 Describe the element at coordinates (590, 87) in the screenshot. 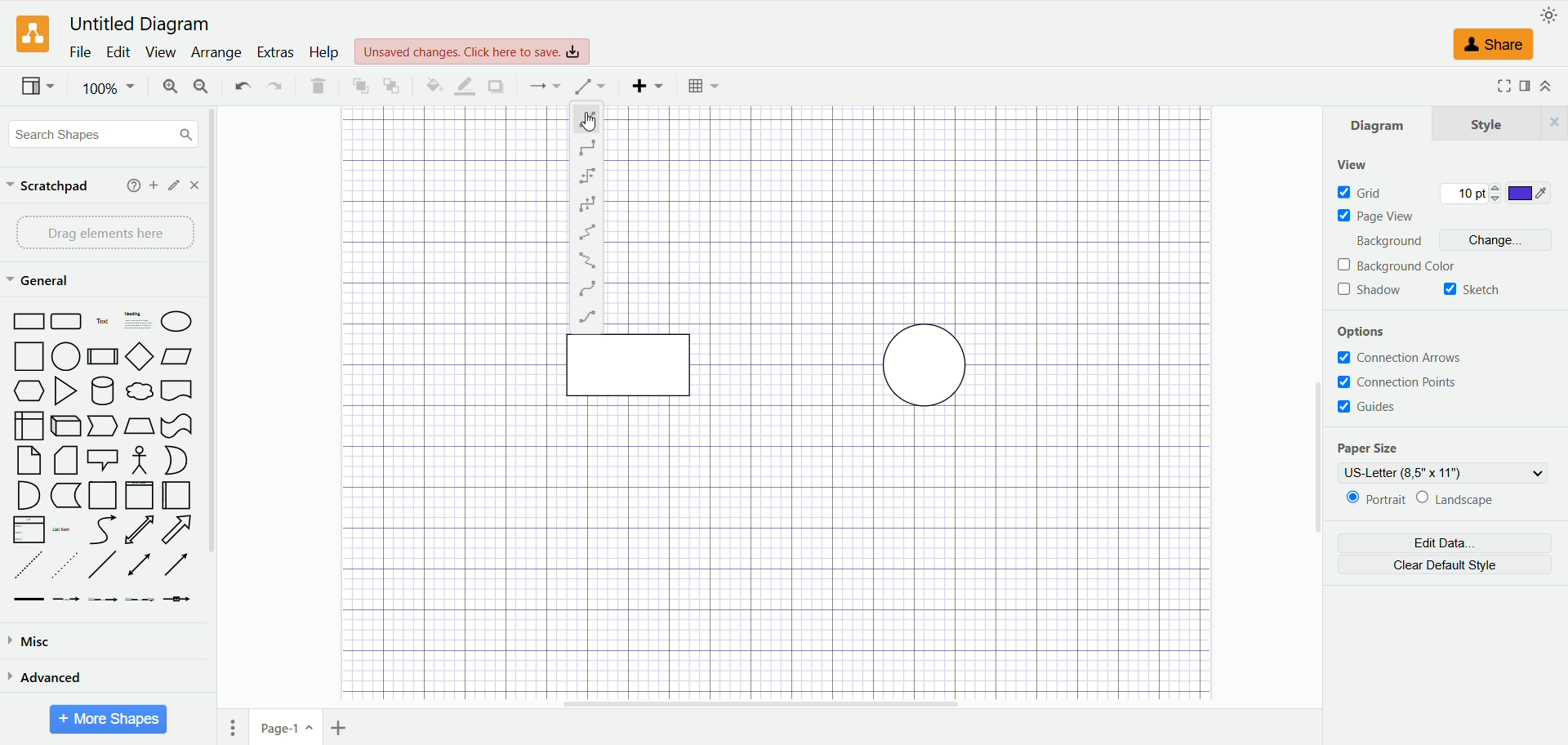

I see `waypoint` at that location.